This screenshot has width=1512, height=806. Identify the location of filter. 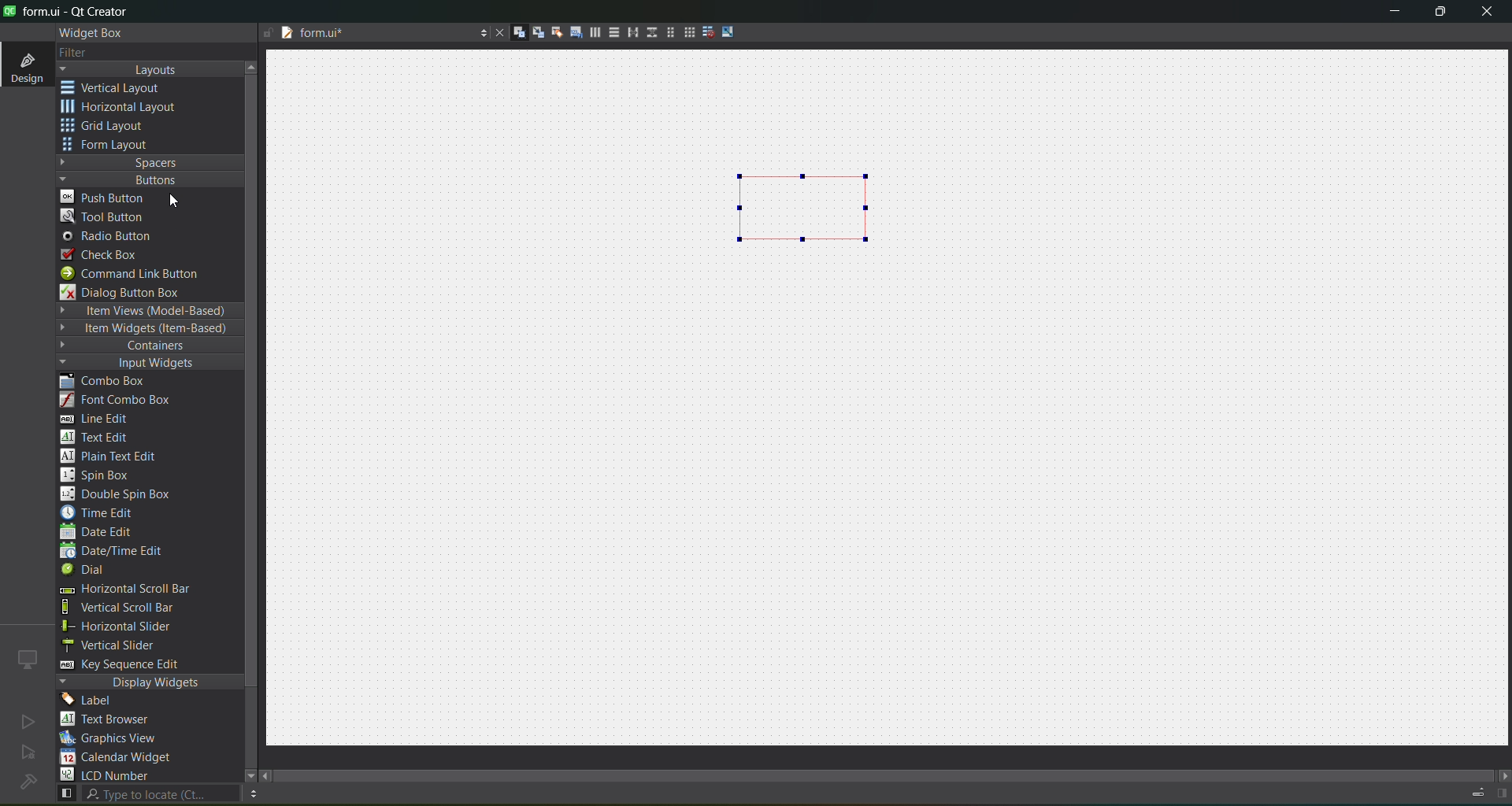
(85, 54).